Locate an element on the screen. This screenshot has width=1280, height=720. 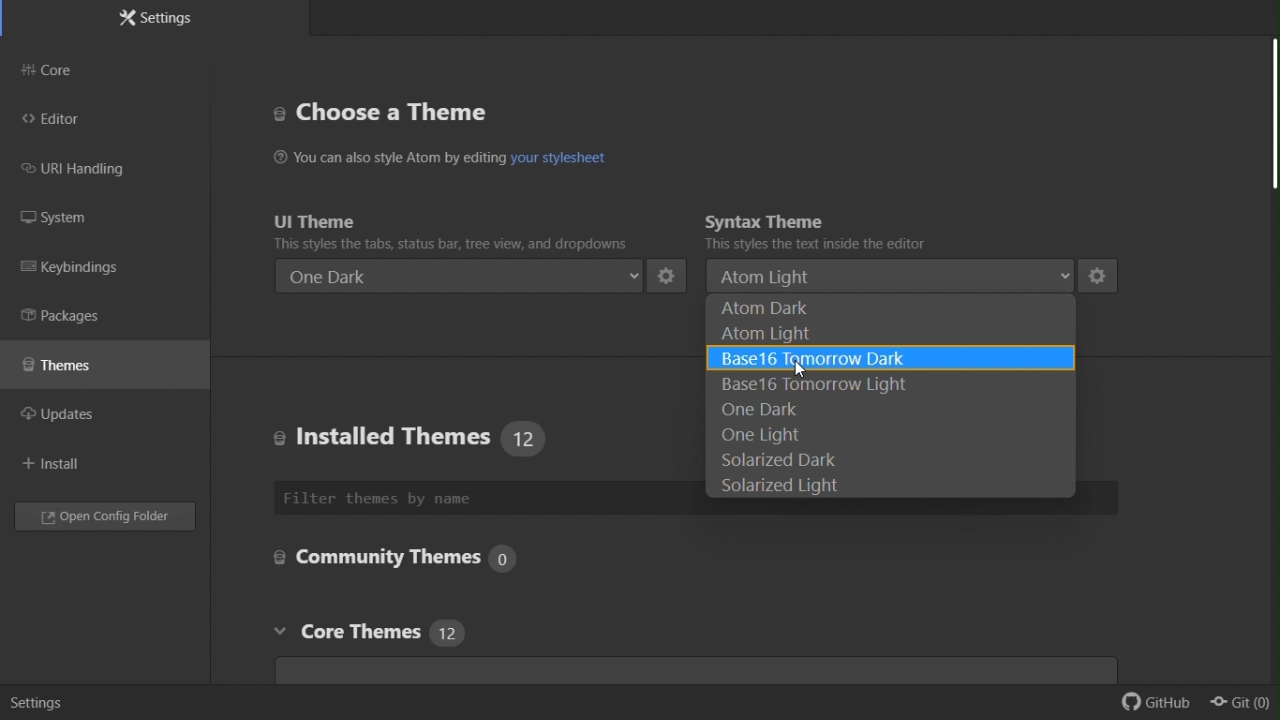
Themes is located at coordinates (76, 371).